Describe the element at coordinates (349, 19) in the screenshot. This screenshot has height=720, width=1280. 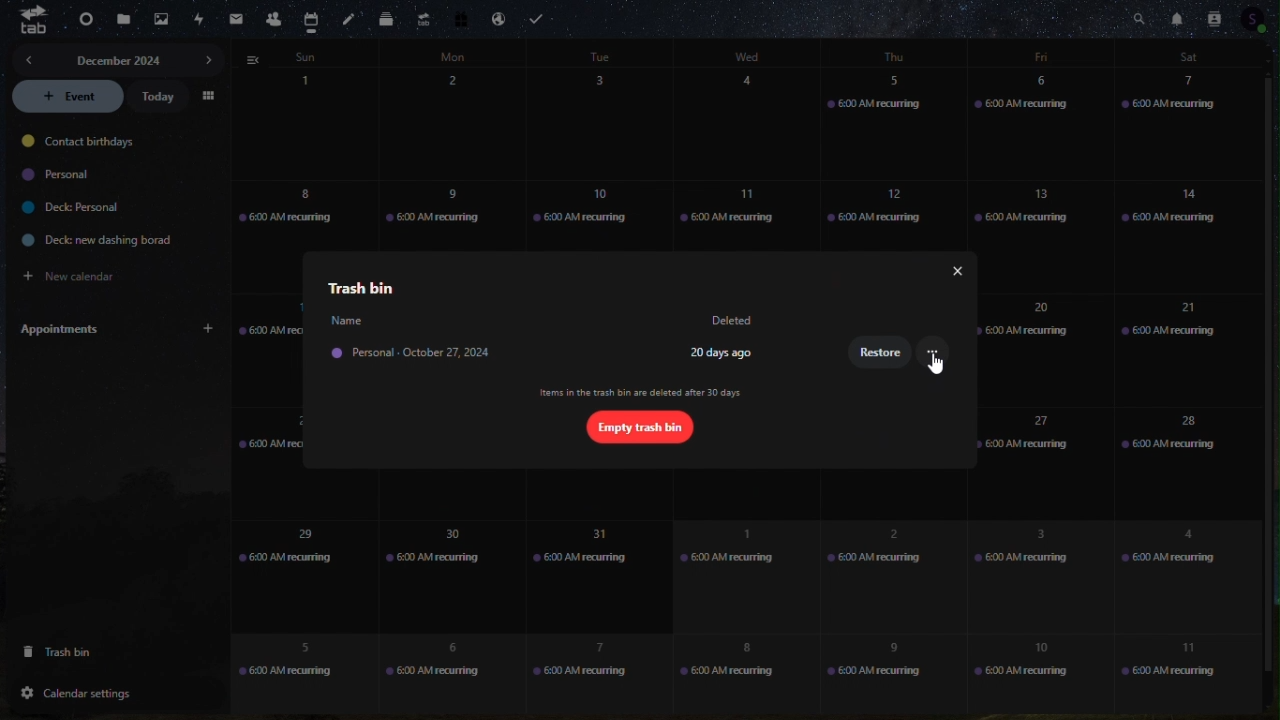
I see `notes` at that location.